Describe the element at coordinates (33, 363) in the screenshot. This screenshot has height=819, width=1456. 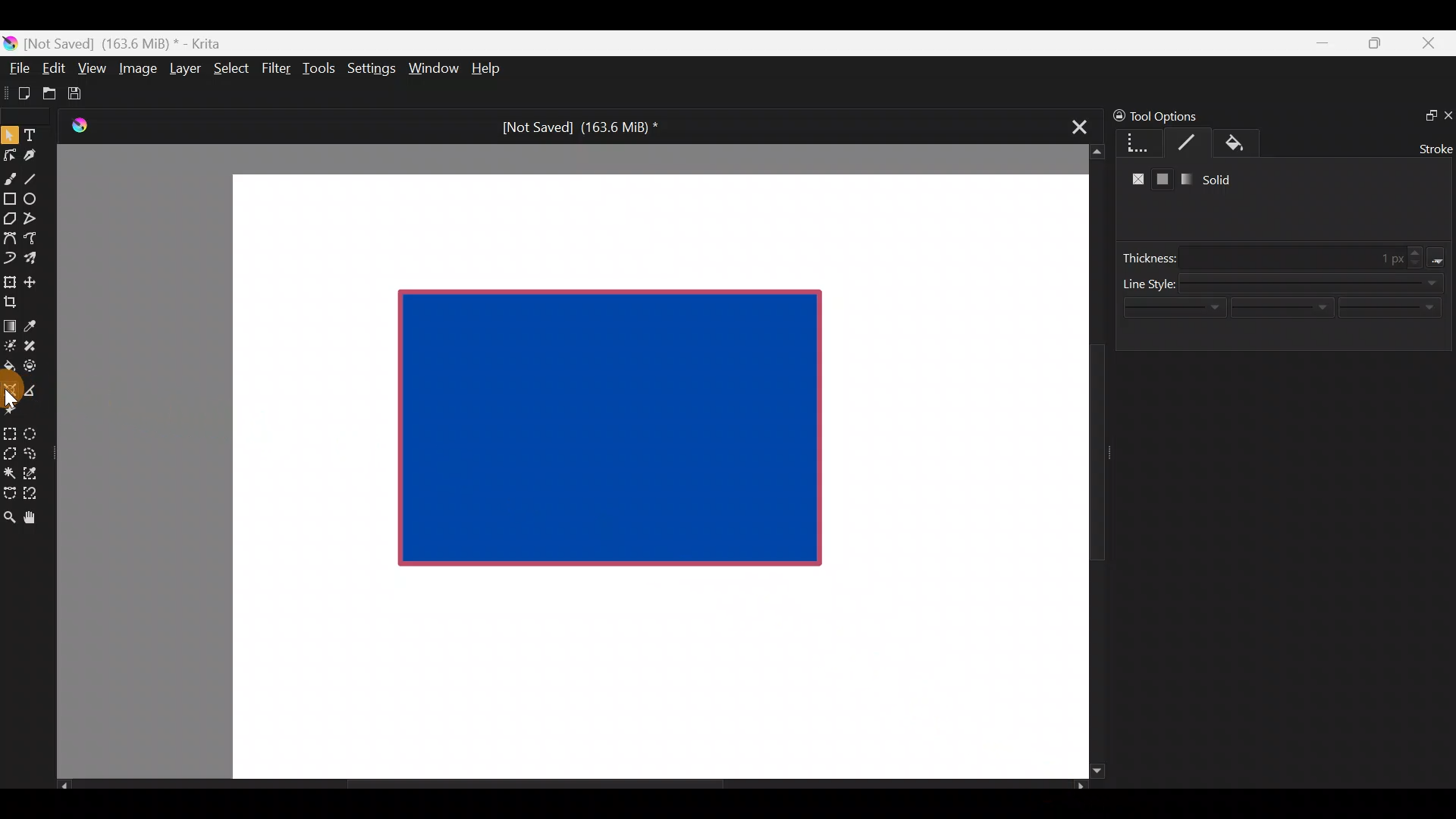
I see `Enclose & fill tool` at that location.